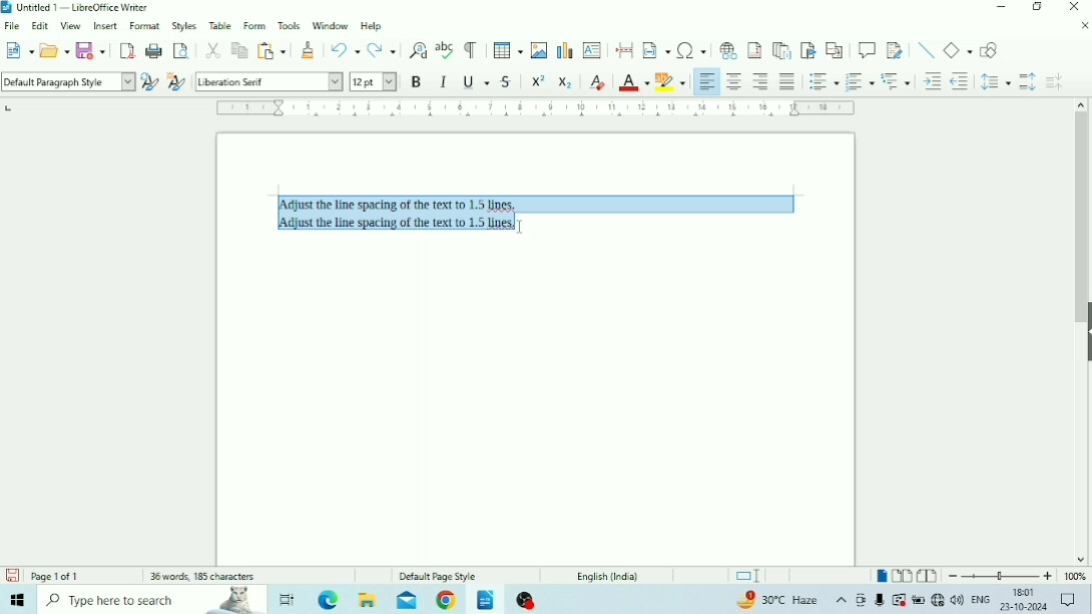 The width and height of the screenshot is (1092, 614). Describe the element at coordinates (149, 80) in the screenshot. I see `Update Selected Style` at that location.